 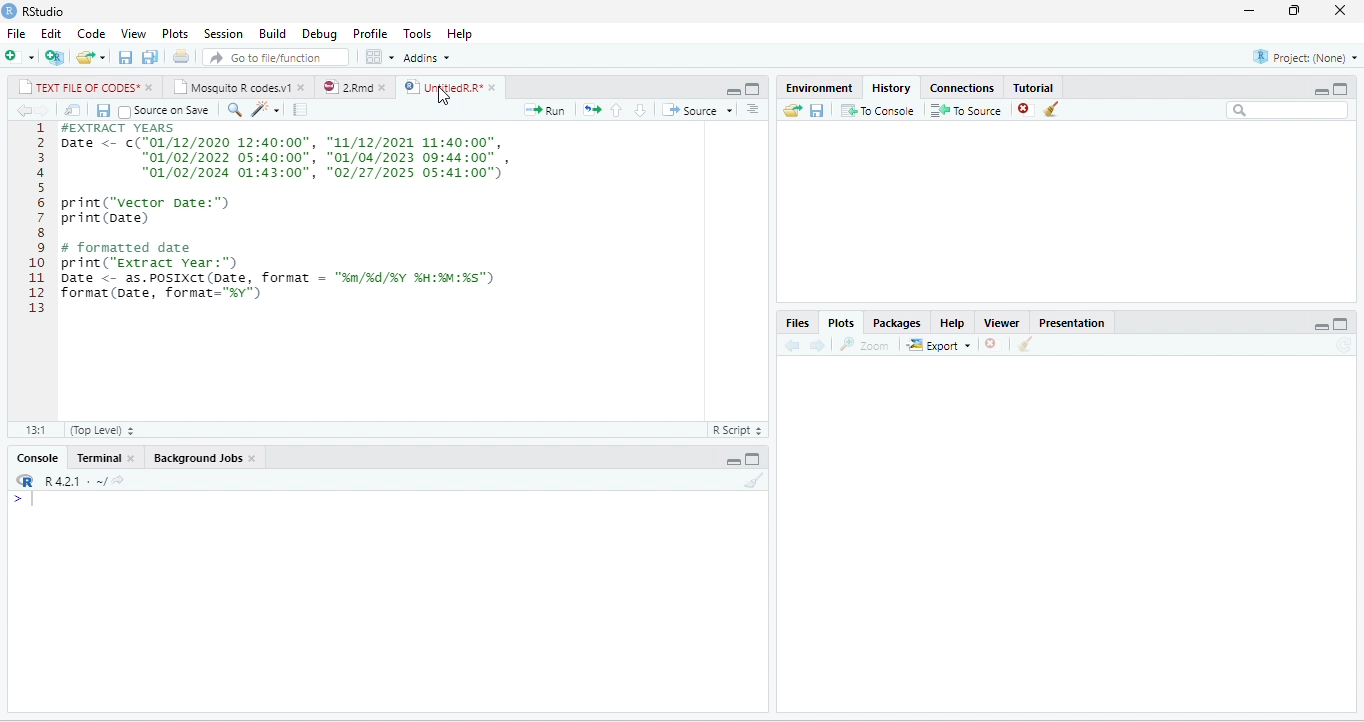 I want to click on Presentation, so click(x=1072, y=323).